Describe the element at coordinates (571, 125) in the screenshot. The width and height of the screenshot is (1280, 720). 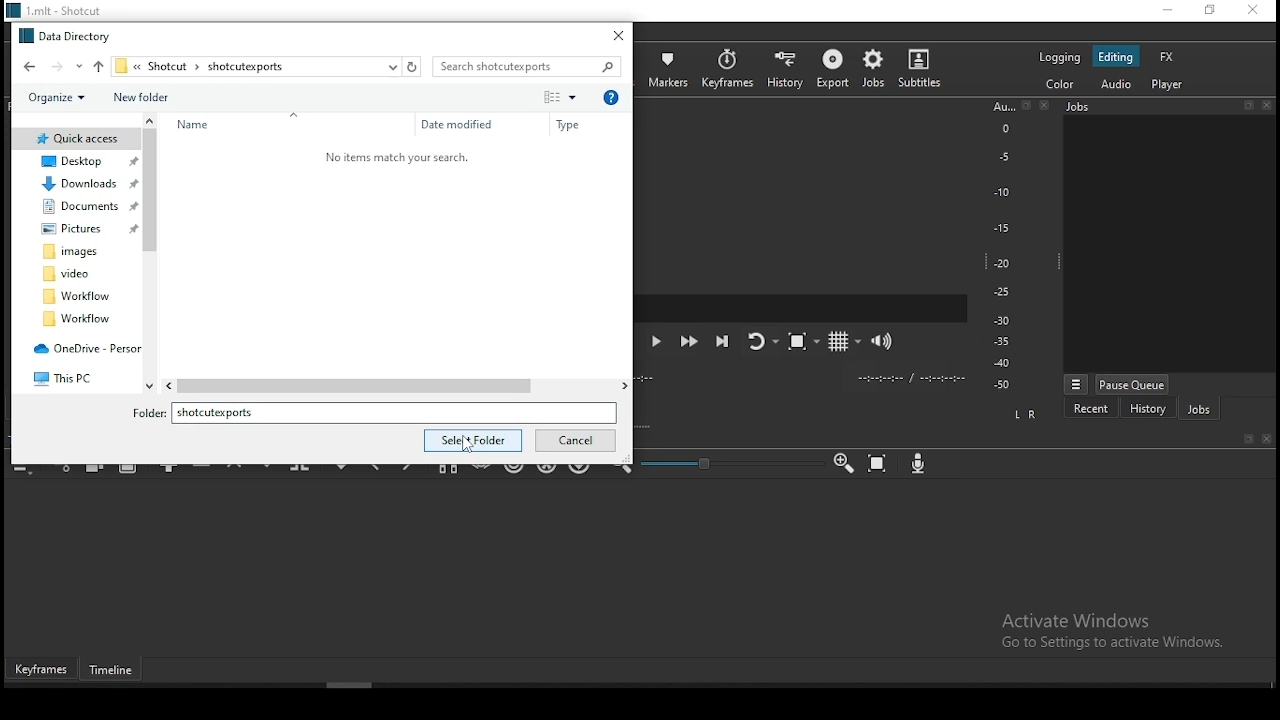
I see `Type` at that location.